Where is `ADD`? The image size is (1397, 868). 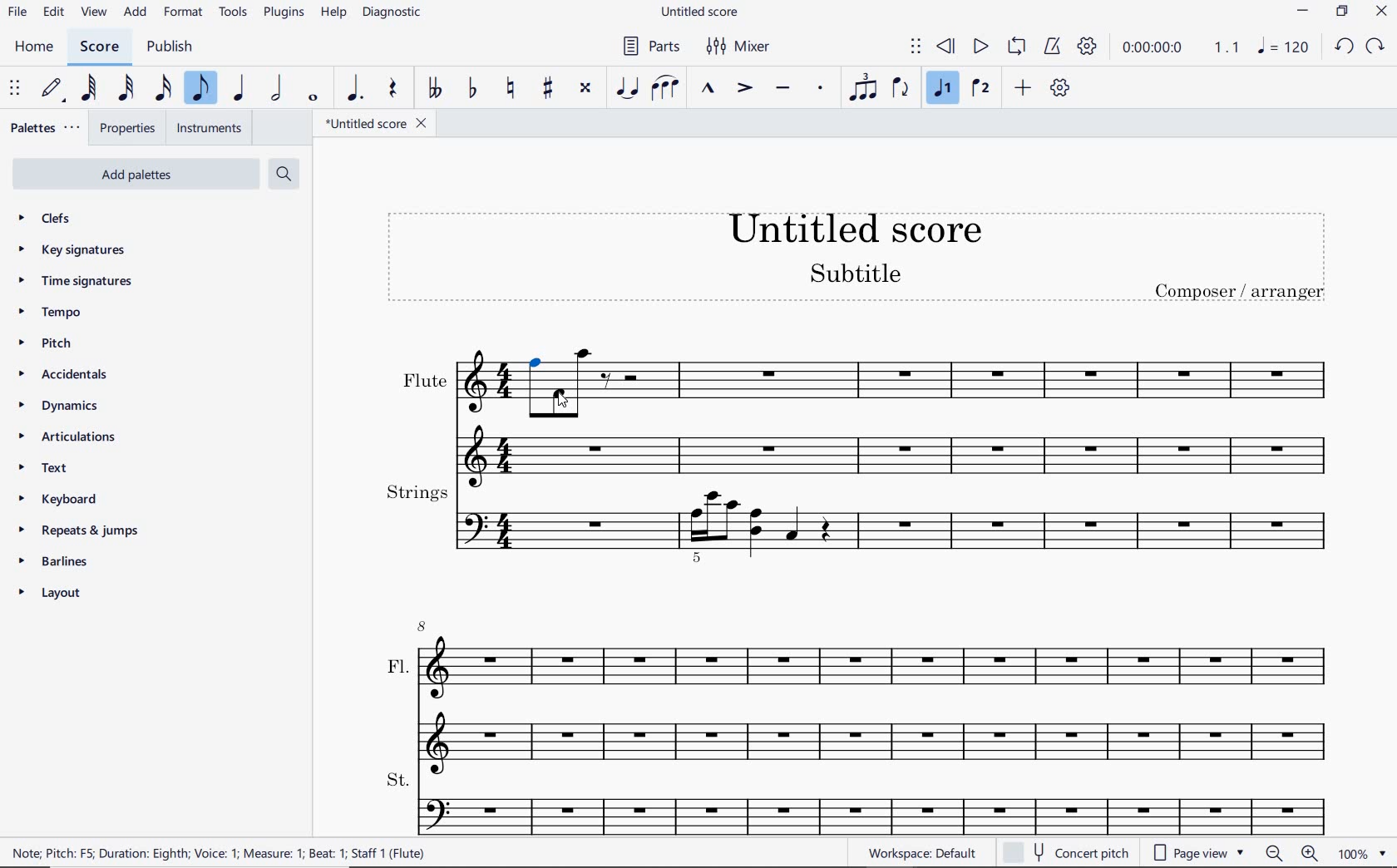
ADD is located at coordinates (1024, 88).